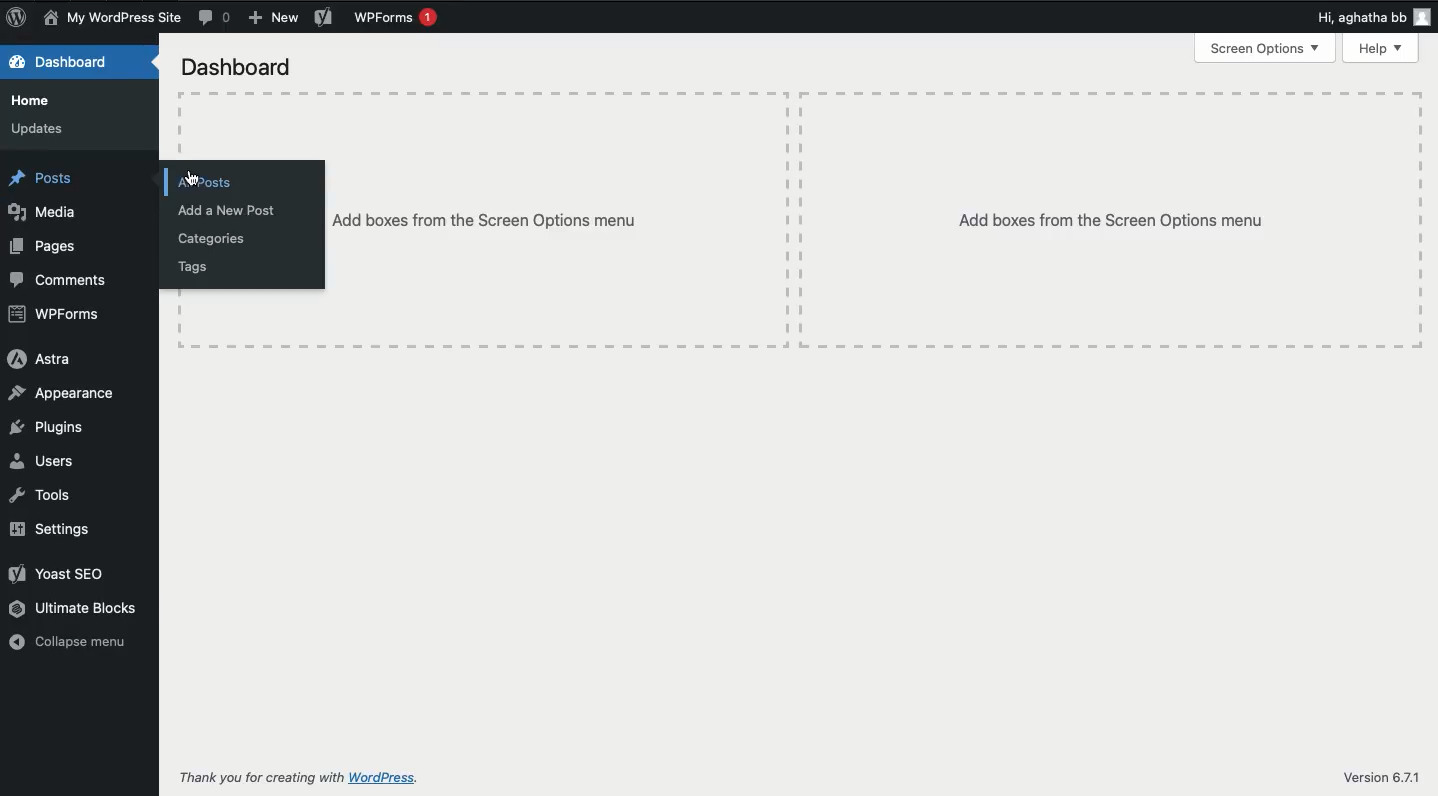 The height and width of the screenshot is (796, 1438). What do you see at coordinates (44, 458) in the screenshot?
I see `Users` at bounding box center [44, 458].